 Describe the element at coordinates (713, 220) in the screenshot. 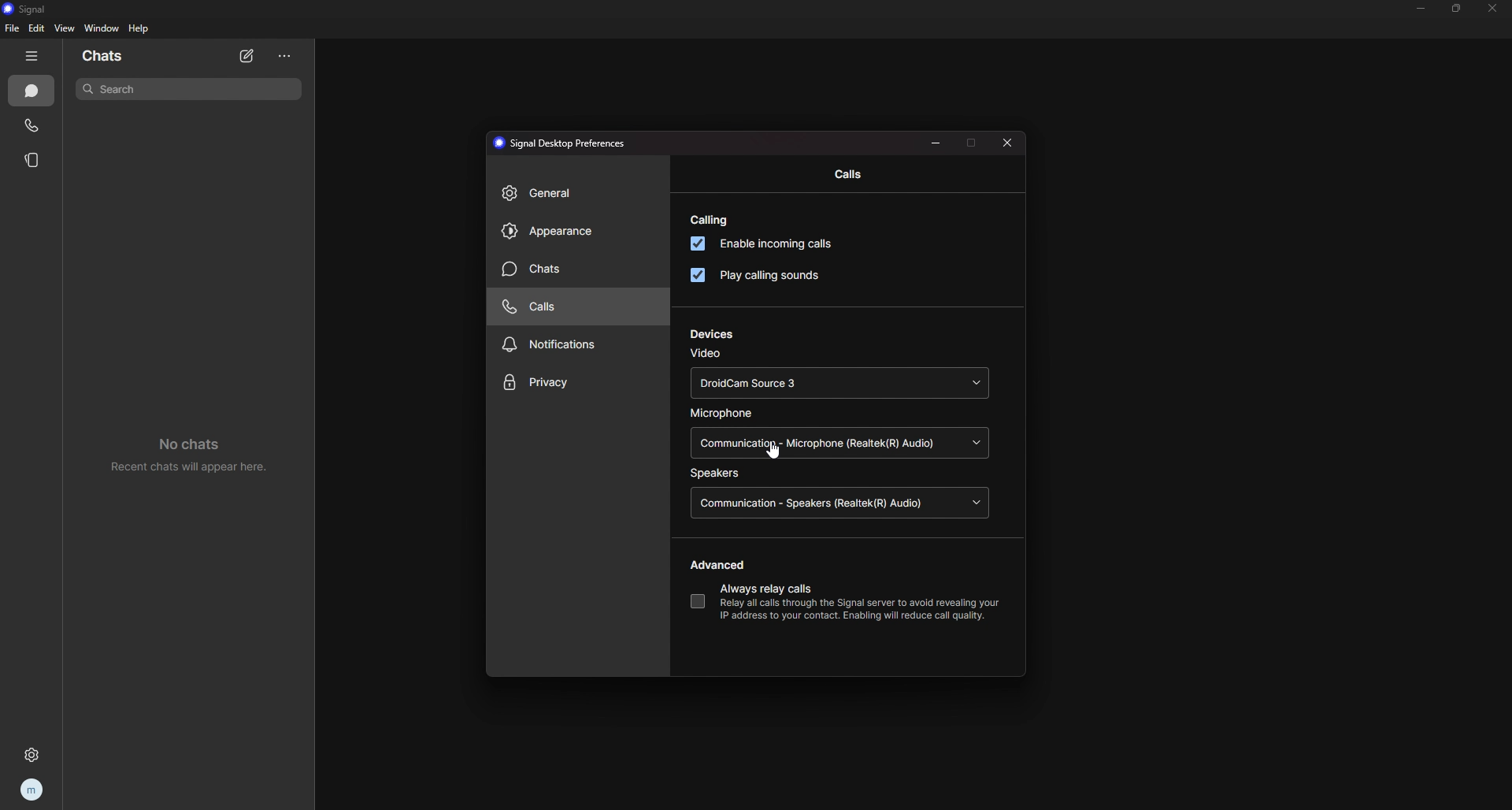

I see `calling` at that location.